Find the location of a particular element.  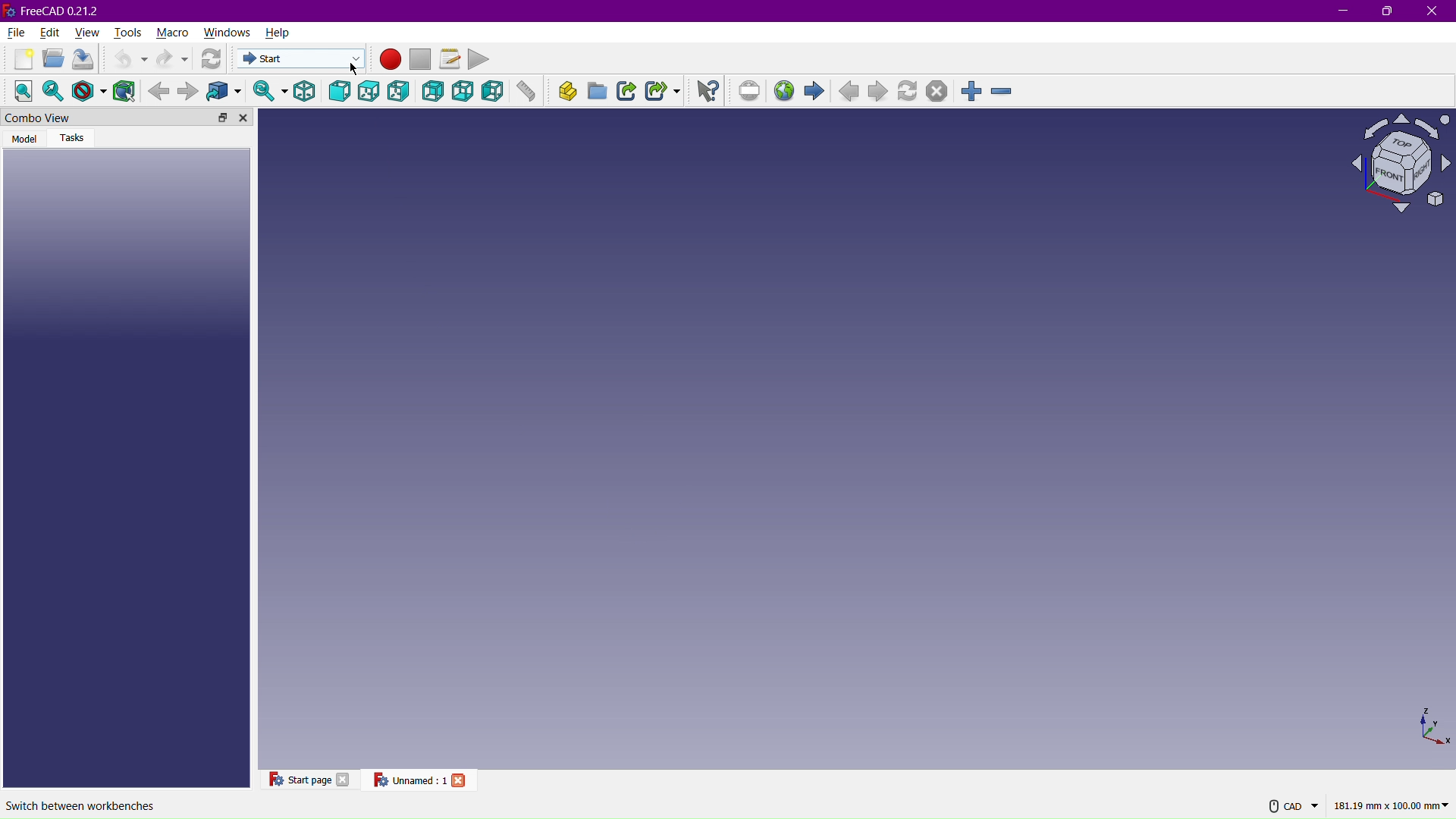

Back is located at coordinates (431, 90).